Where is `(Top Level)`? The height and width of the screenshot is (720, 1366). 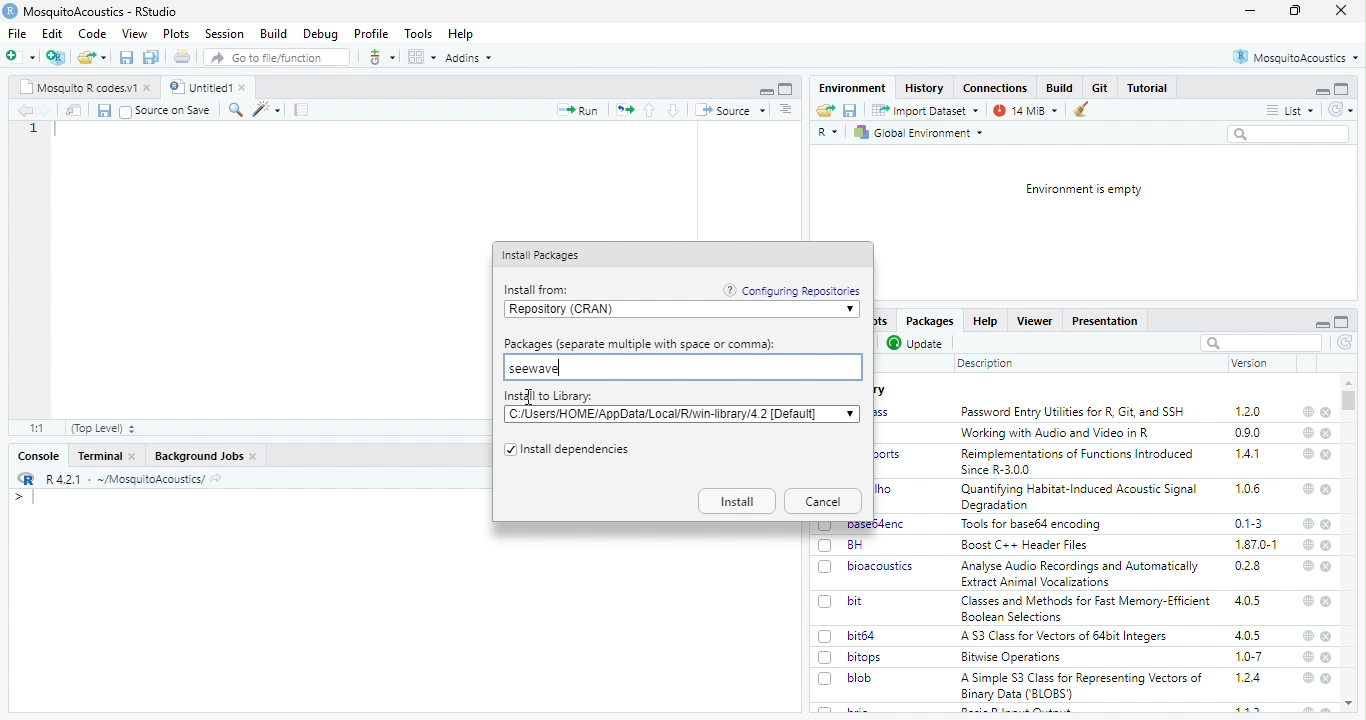 (Top Level) is located at coordinates (104, 429).